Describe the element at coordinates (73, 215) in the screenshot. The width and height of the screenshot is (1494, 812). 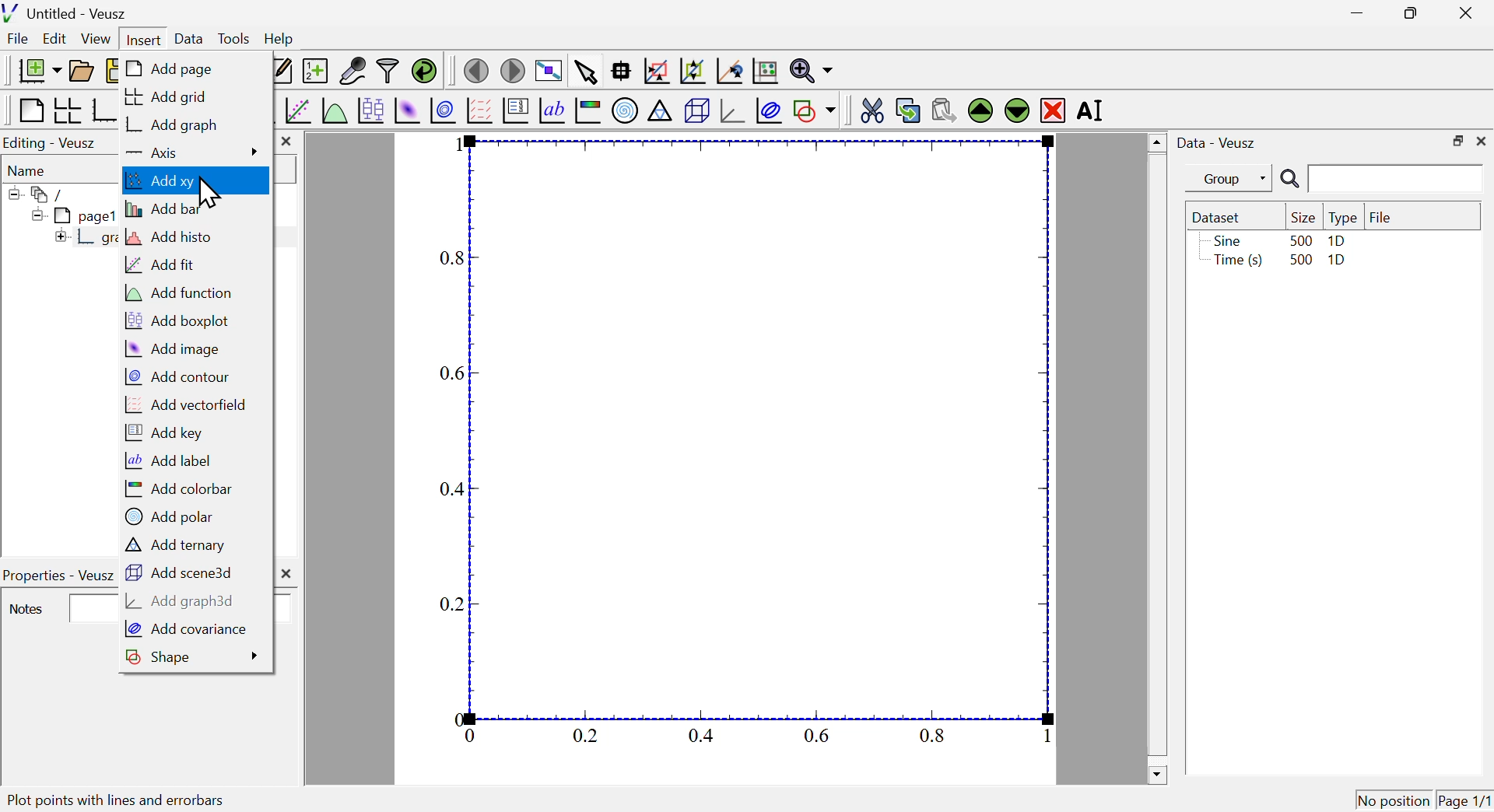
I see `page1` at that location.